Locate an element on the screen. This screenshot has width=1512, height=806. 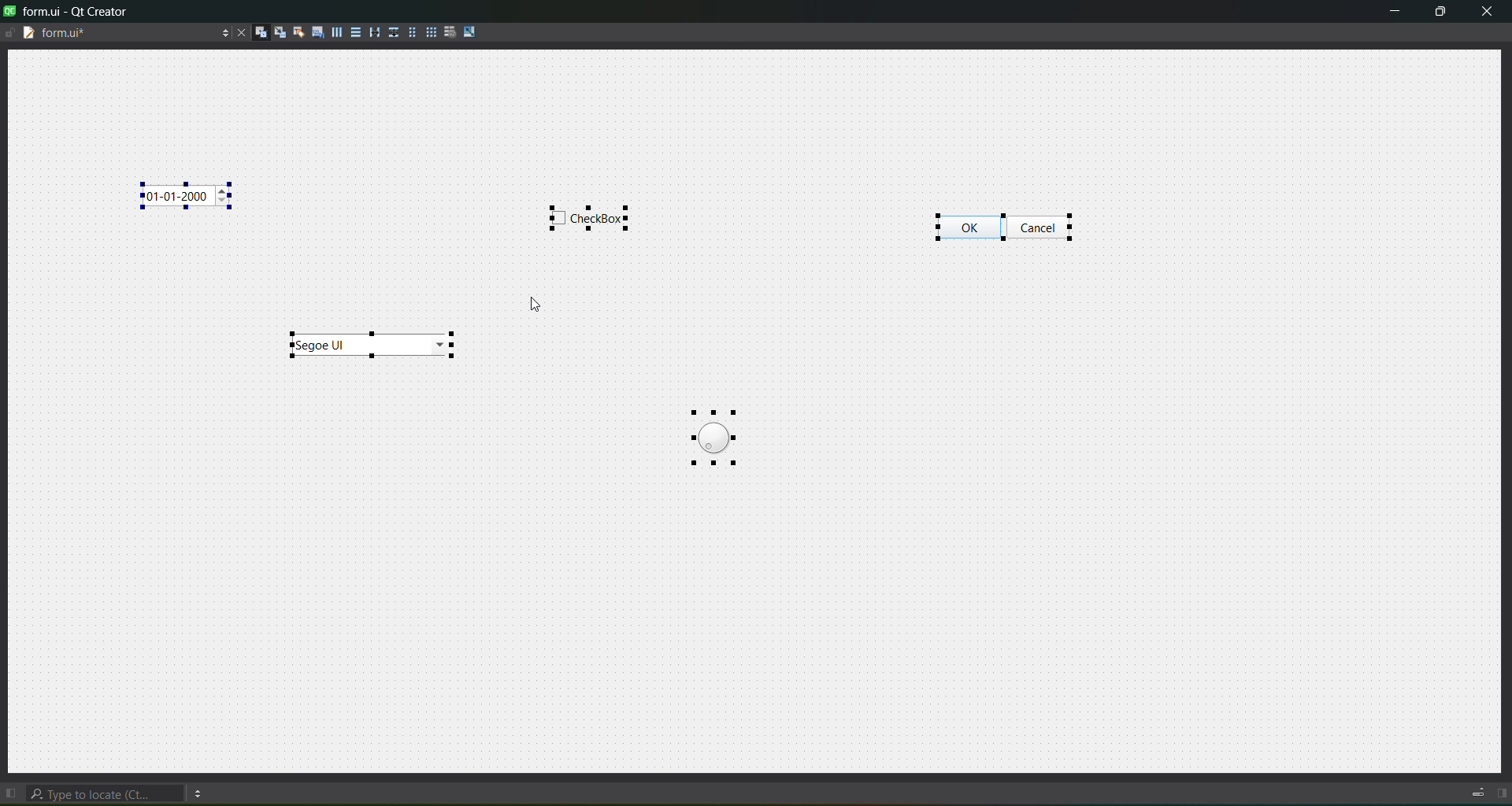
adjust size is located at coordinates (474, 31).